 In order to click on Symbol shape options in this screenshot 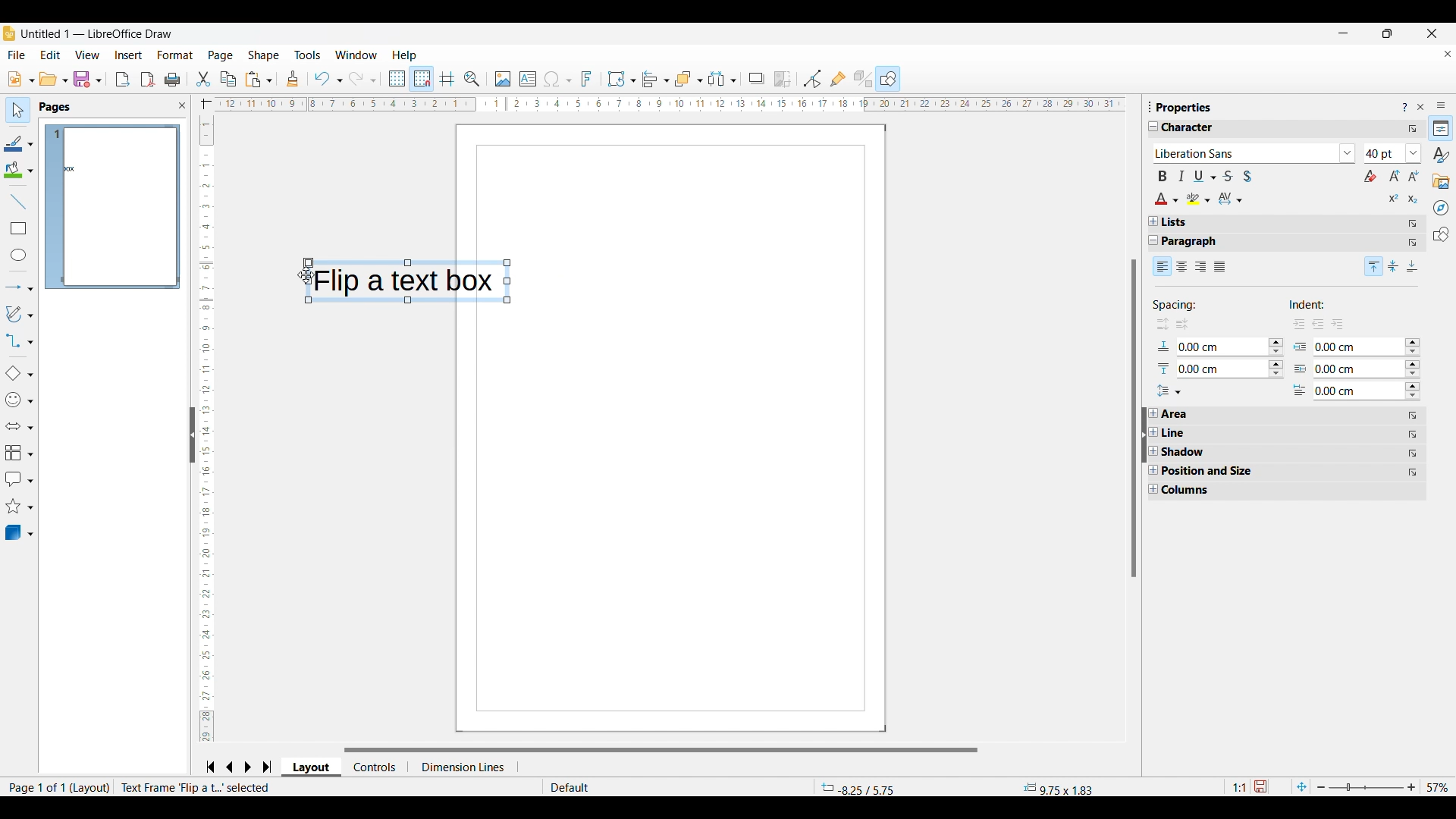, I will do `click(19, 400)`.